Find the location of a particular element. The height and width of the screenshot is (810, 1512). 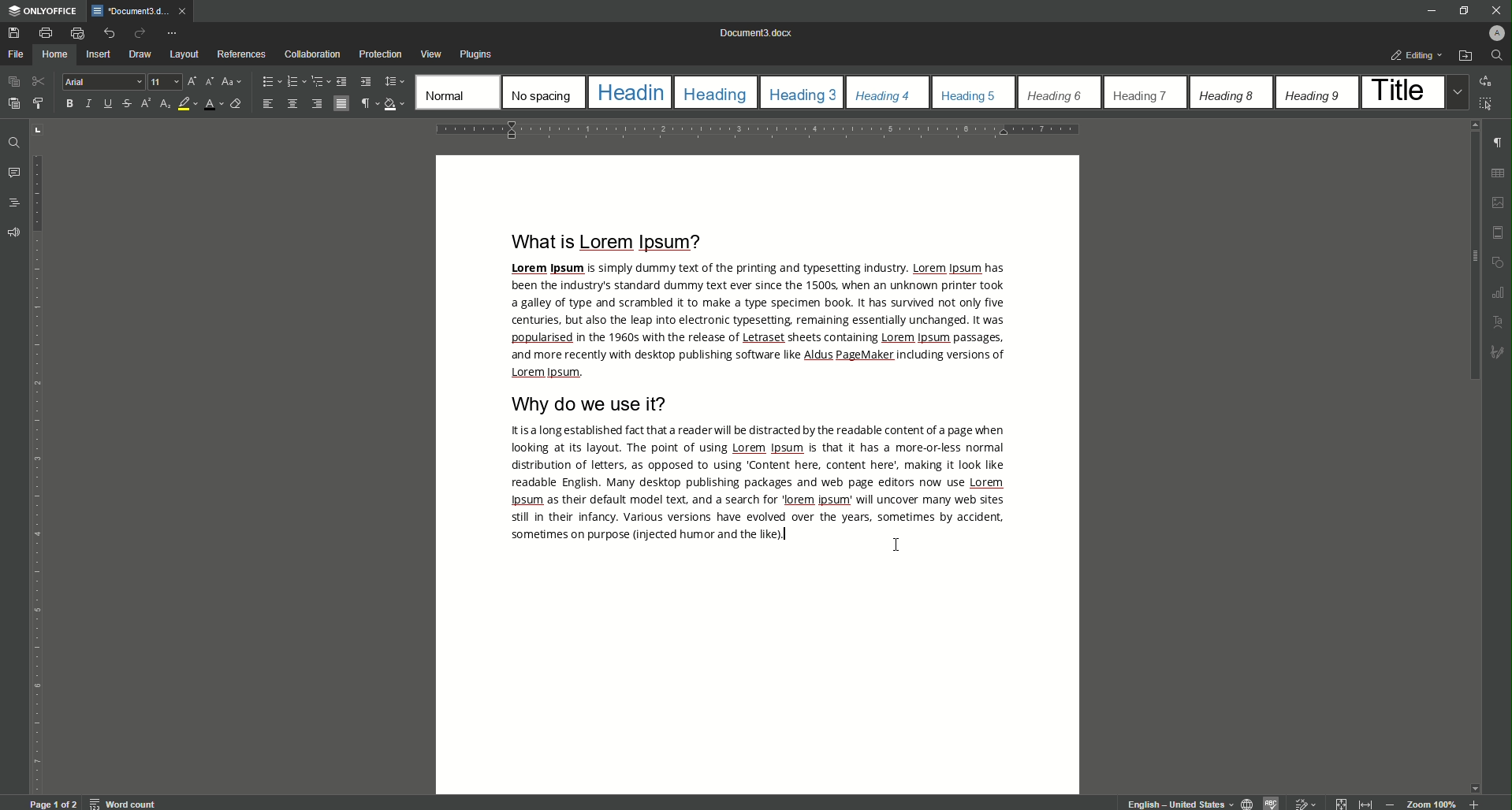

Heading 3 is located at coordinates (806, 93).